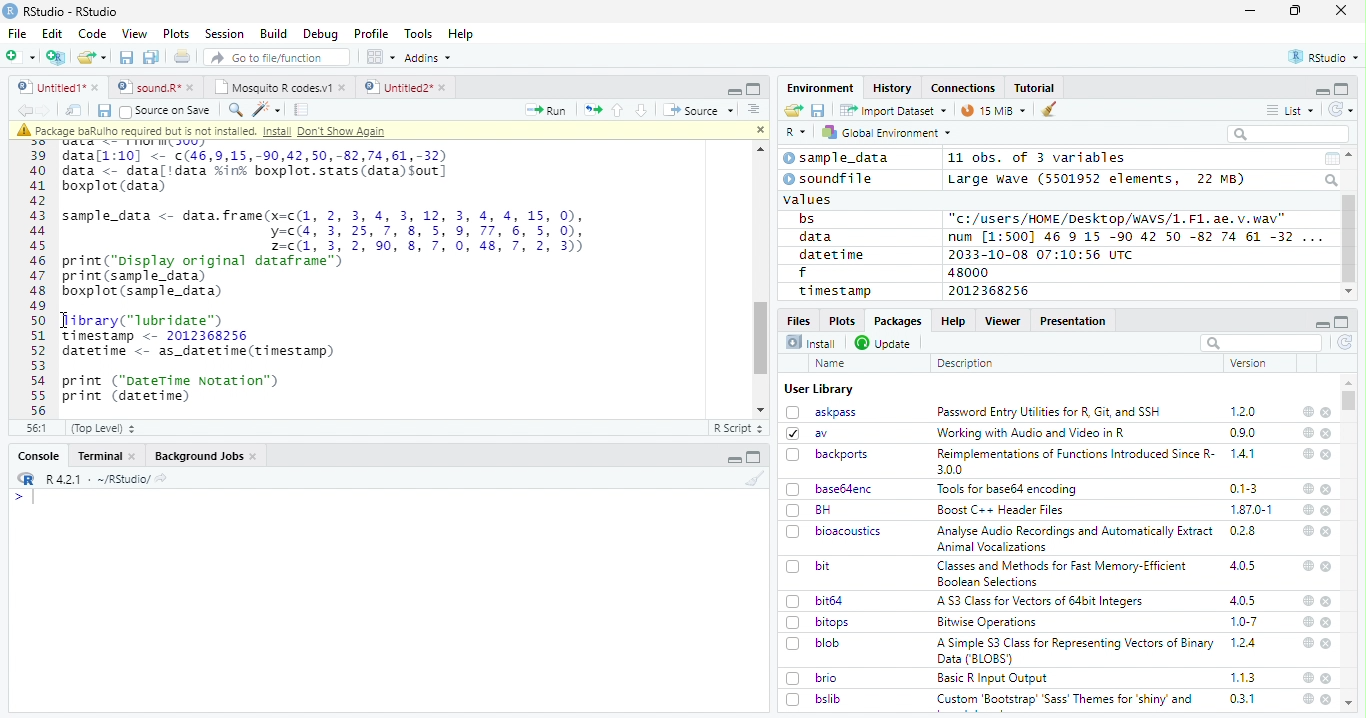 This screenshot has width=1366, height=718. What do you see at coordinates (814, 698) in the screenshot?
I see `bslib` at bounding box center [814, 698].